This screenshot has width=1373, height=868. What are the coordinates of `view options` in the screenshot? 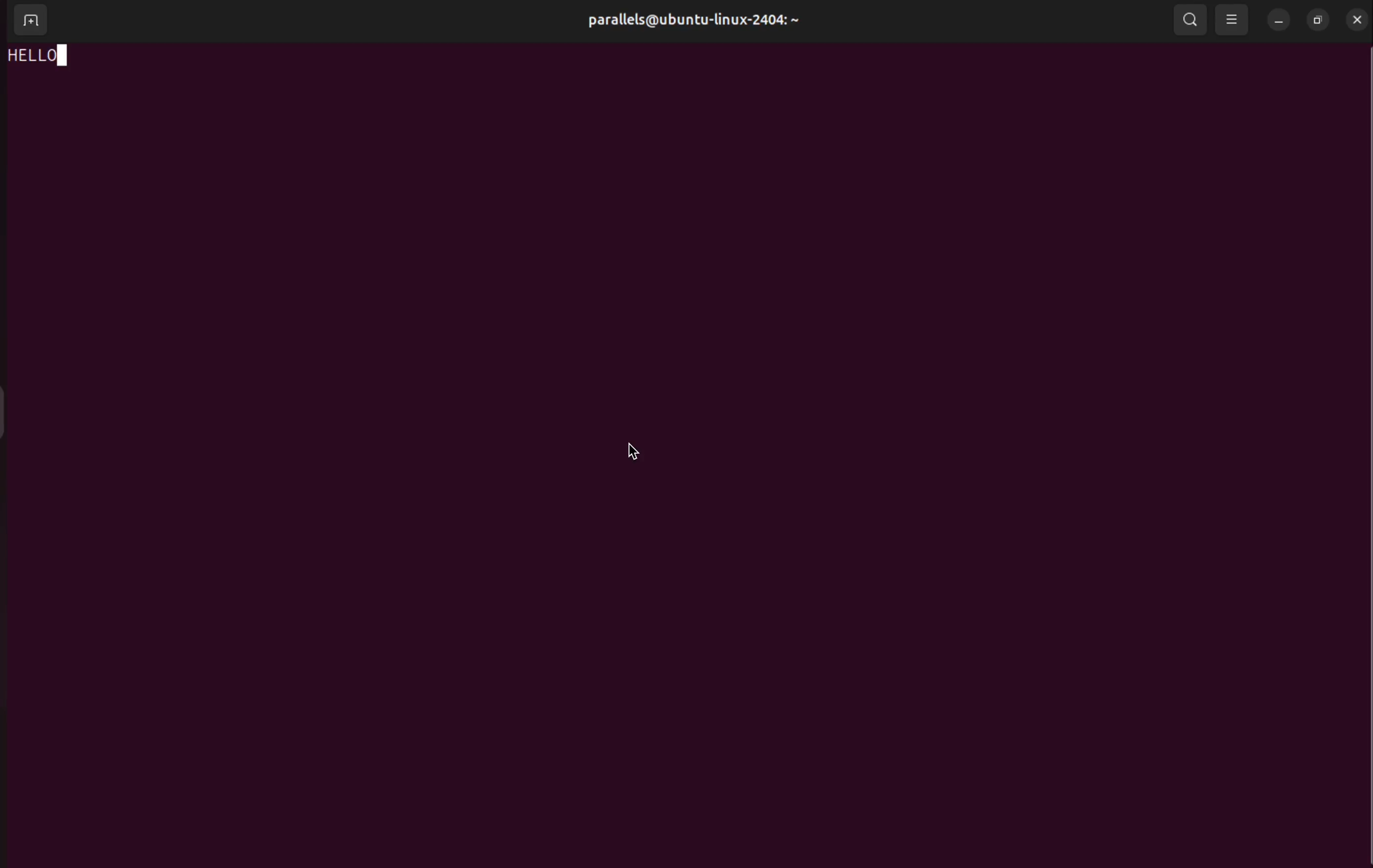 It's located at (1232, 19).